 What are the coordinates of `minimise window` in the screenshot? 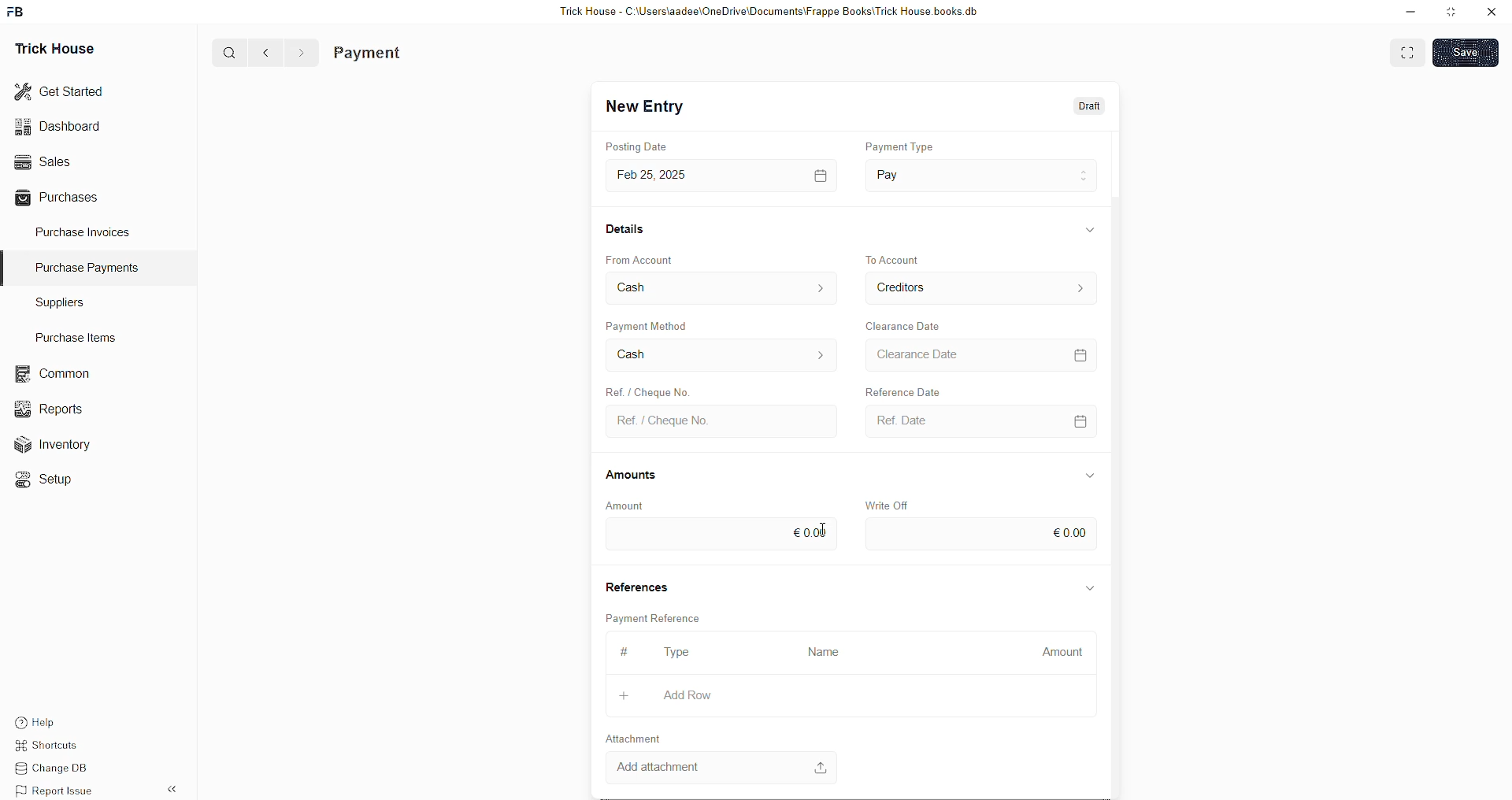 It's located at (1450, 13).